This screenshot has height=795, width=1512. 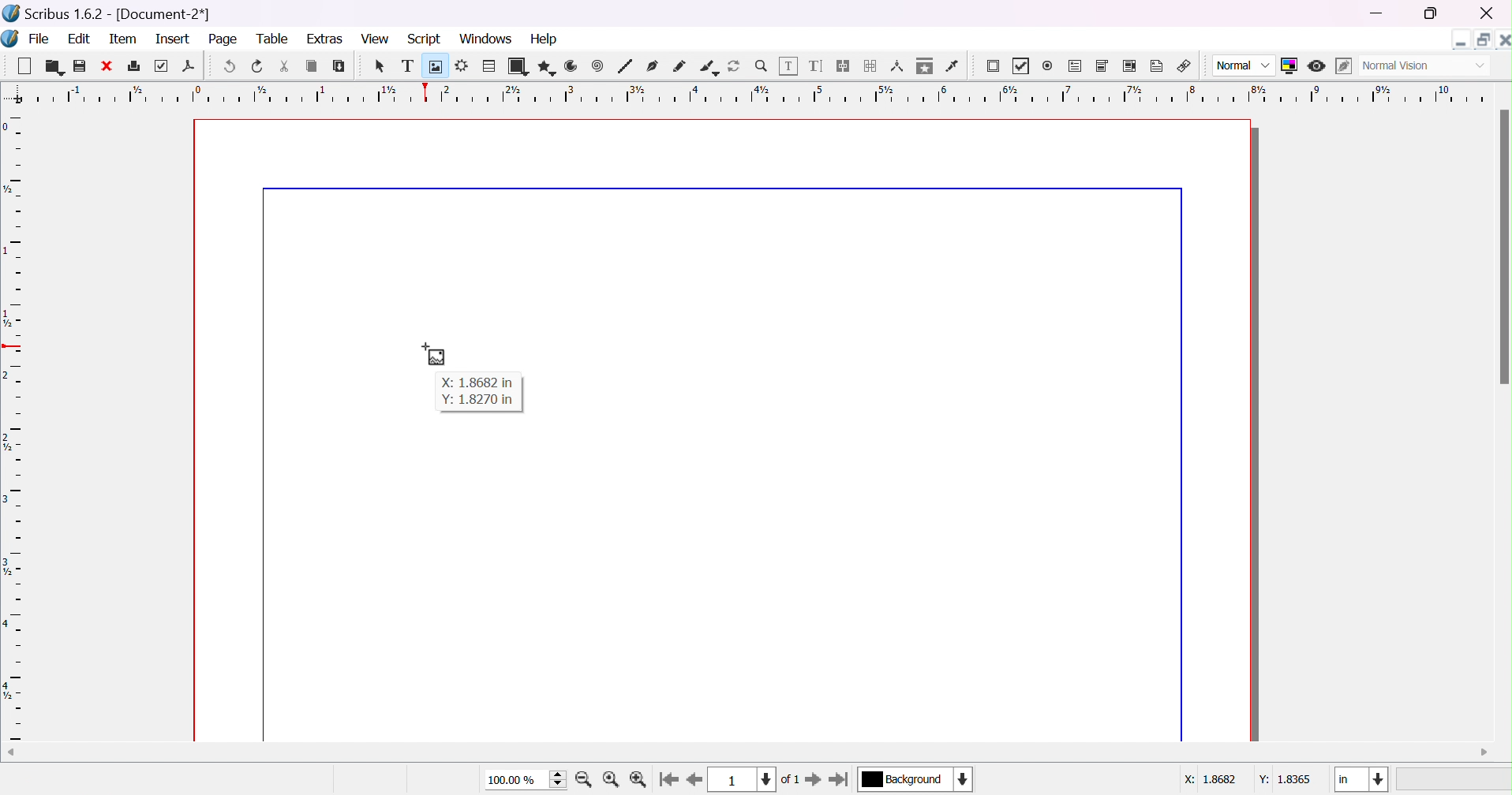 What do you see at coordinates (679, 66) in the screenshot?
I see `freehand line` at bounding box center [679, 66].